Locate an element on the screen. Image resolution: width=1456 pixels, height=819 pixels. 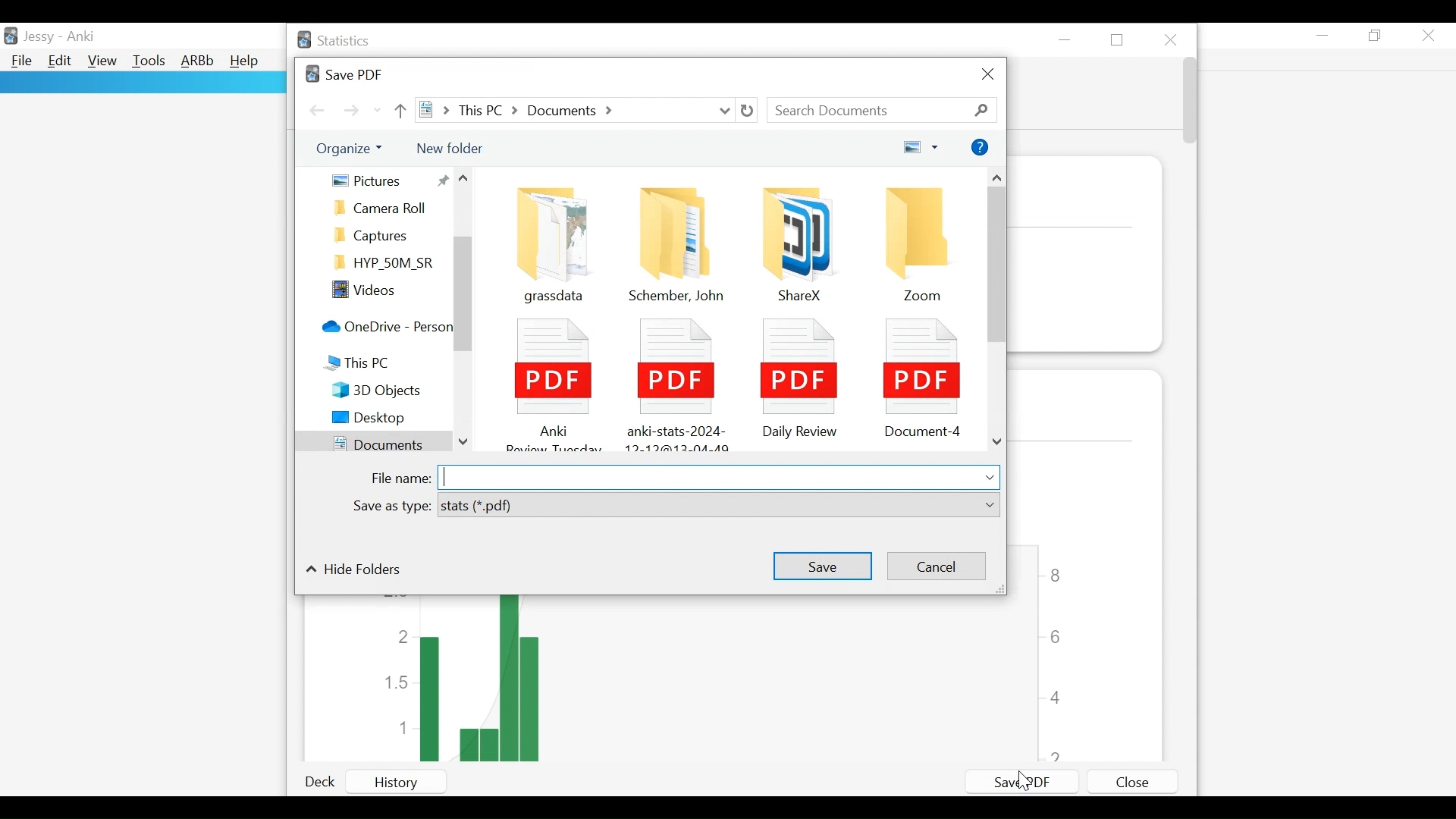
Statistics is located at coordinates (336, 41).